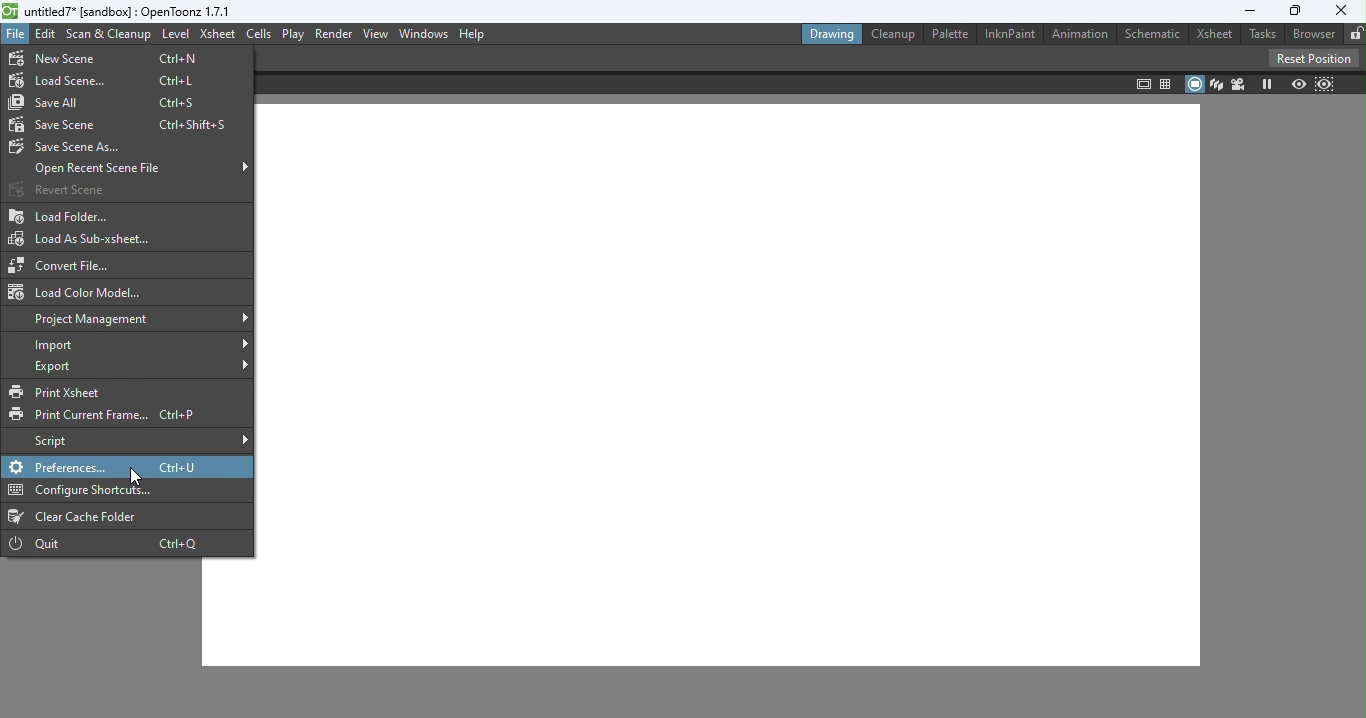 This screenshot has width=1366, height=718. Describe the element at coordinates (422, 34) in the screenshot. I see `Windows` at that location.